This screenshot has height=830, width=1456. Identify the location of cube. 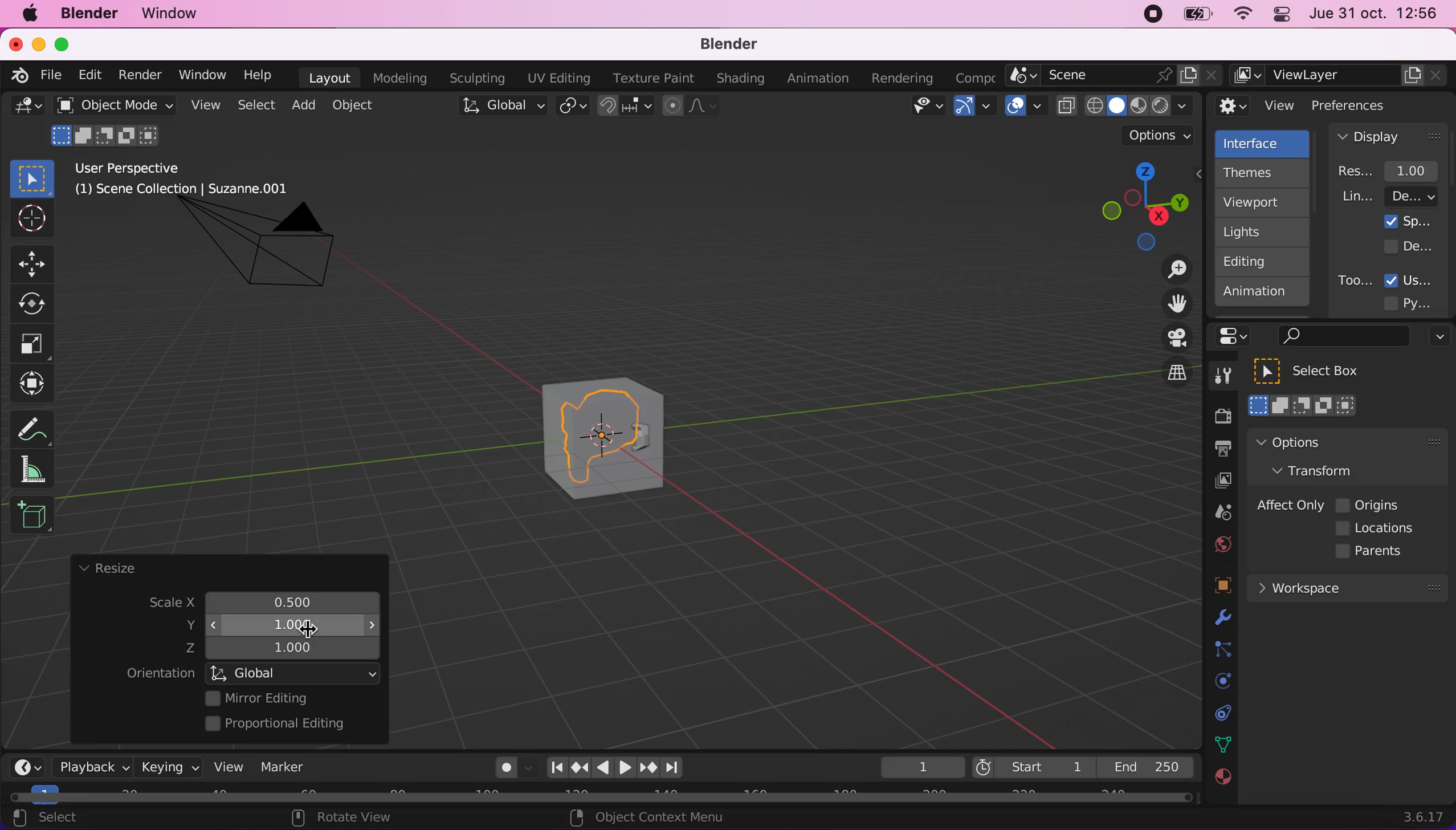
(605, 433).